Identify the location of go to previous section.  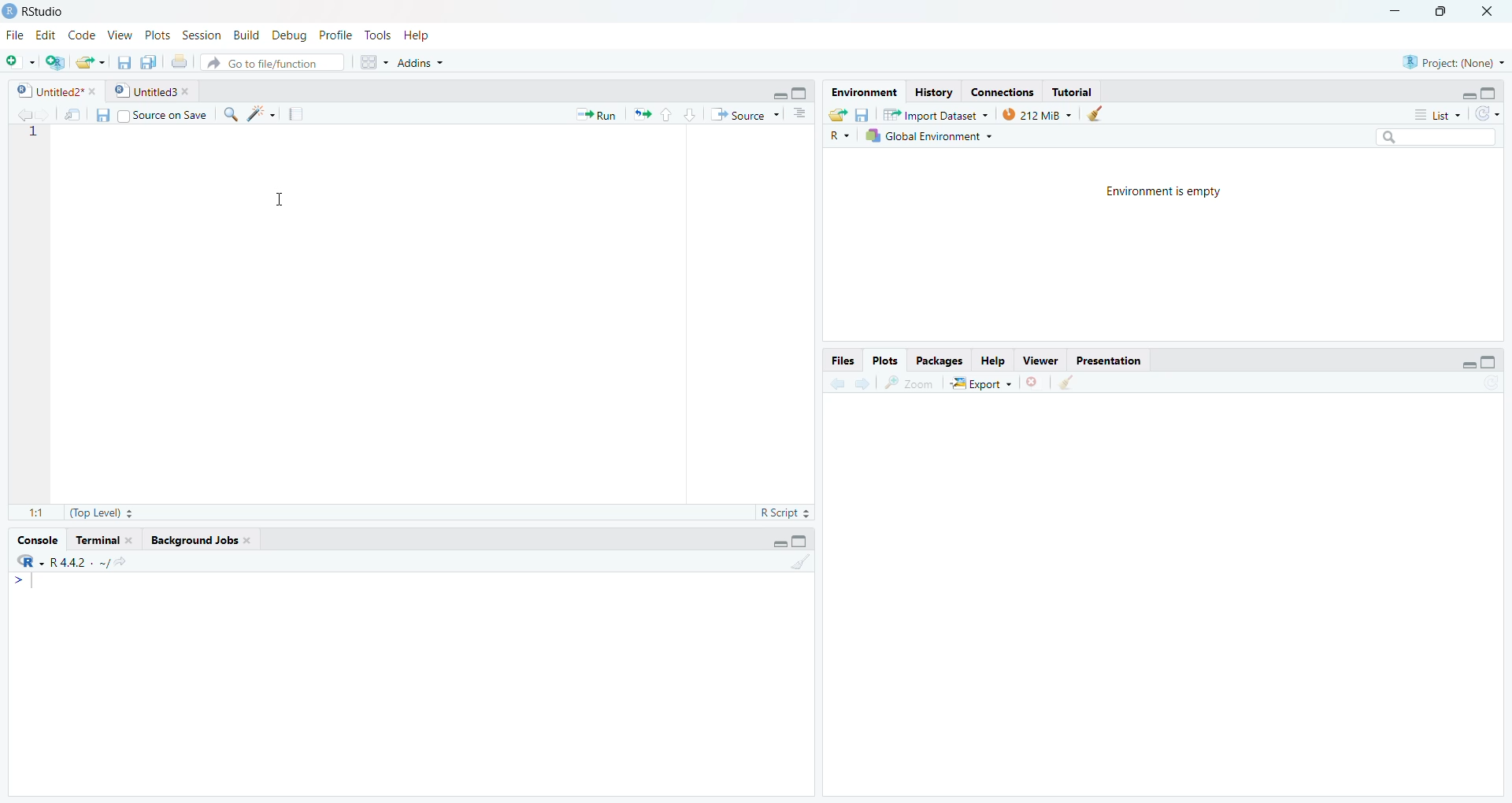
(668, 113).